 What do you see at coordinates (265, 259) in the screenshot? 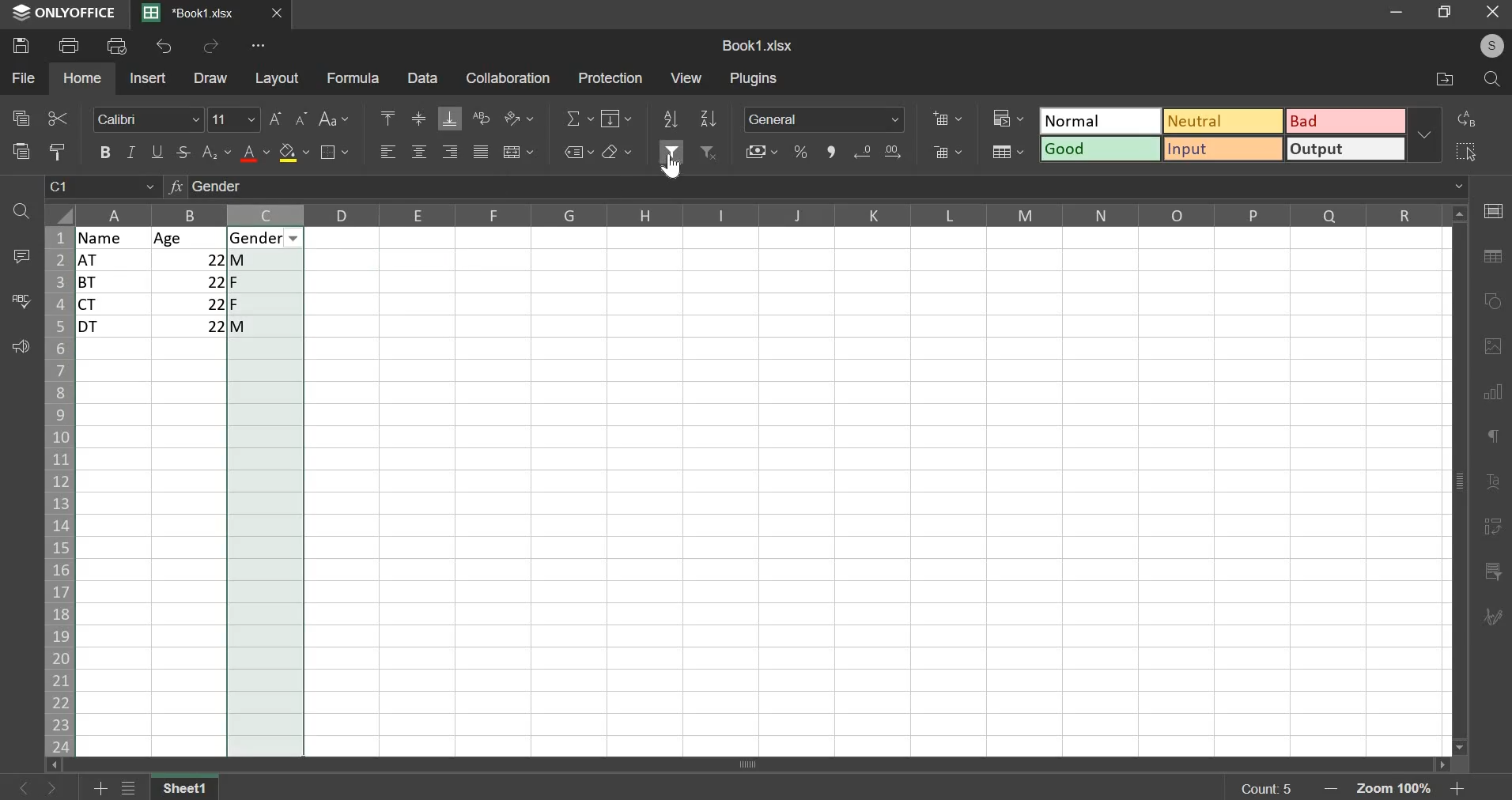
I see `m` at bounding box center [265, 259].